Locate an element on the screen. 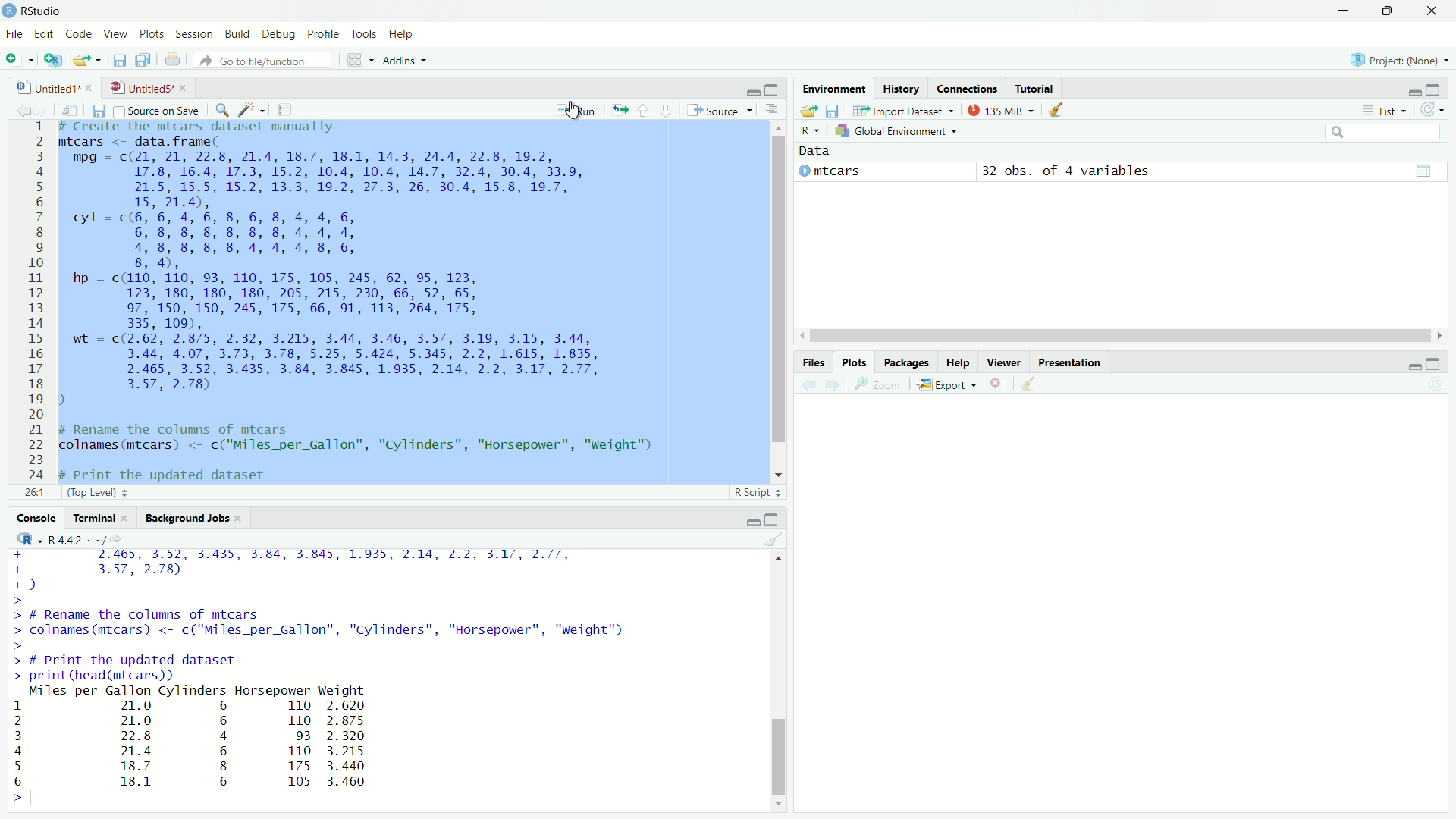 This screenshot has width=1456, height=819. maximise is located at coordinates (1389, 11).